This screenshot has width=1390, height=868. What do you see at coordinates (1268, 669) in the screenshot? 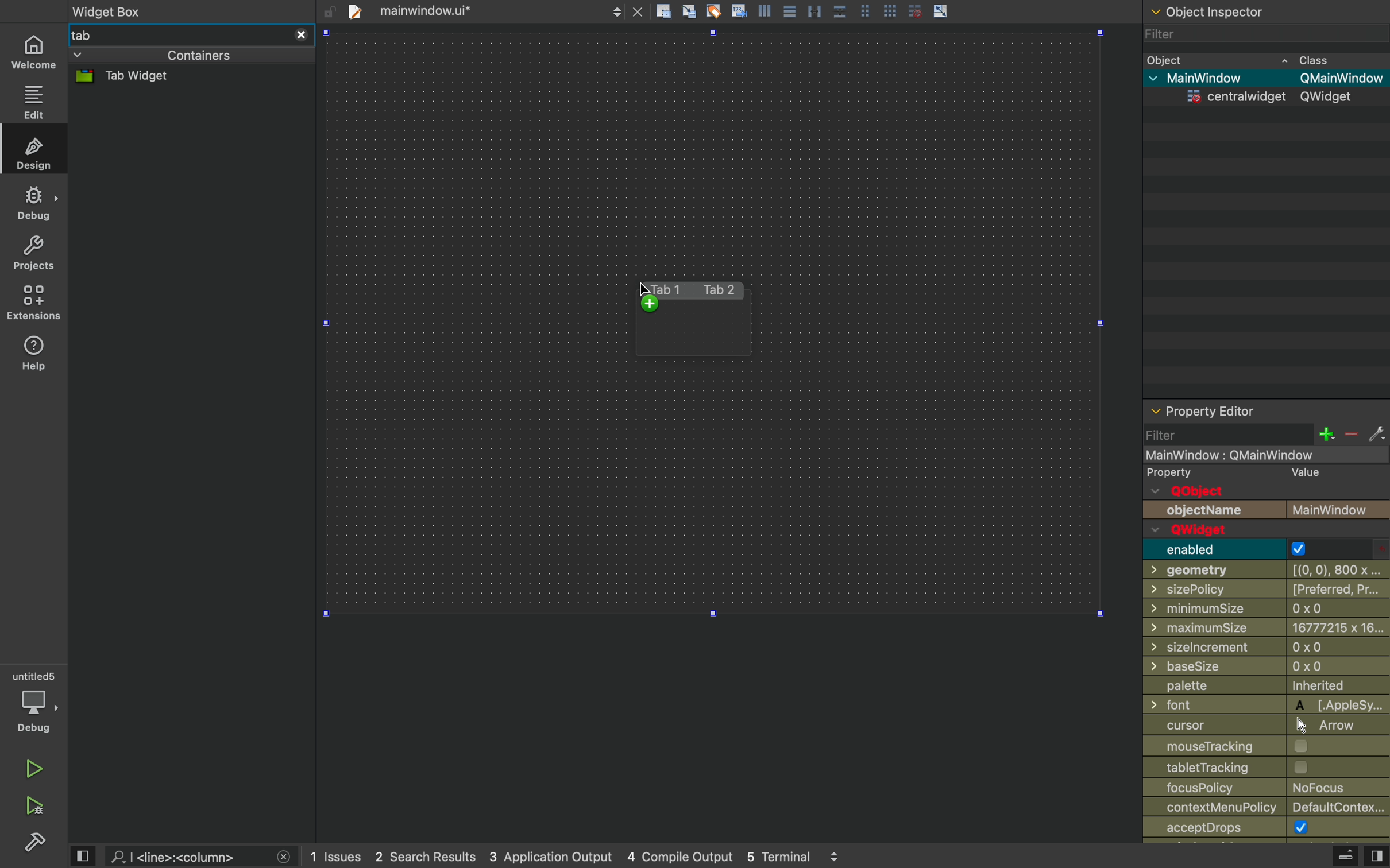
I see `basesize` at bounding box center [1268, 669].